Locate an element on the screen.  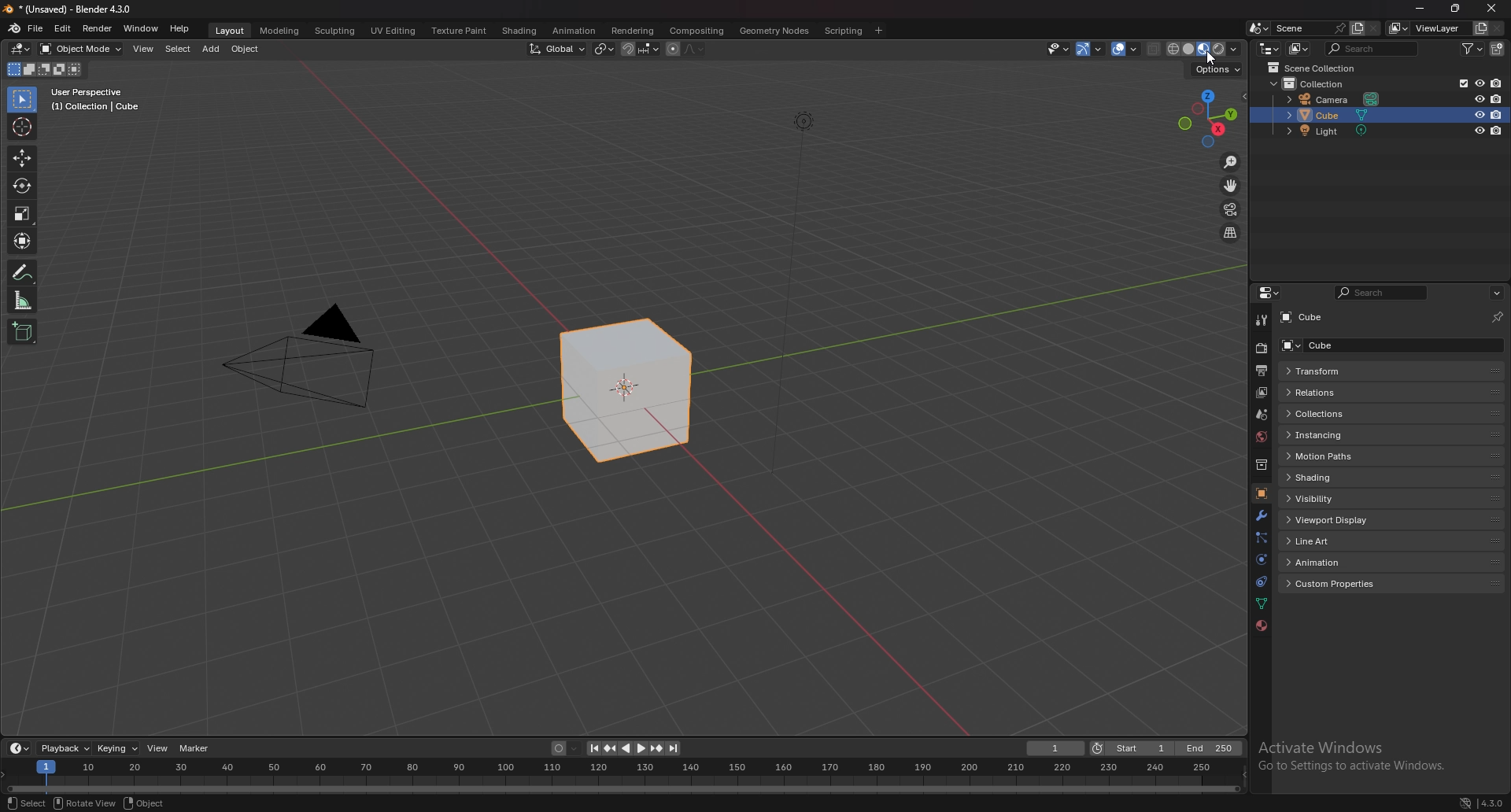
jump to last frame is located at coordinates (674, 749).